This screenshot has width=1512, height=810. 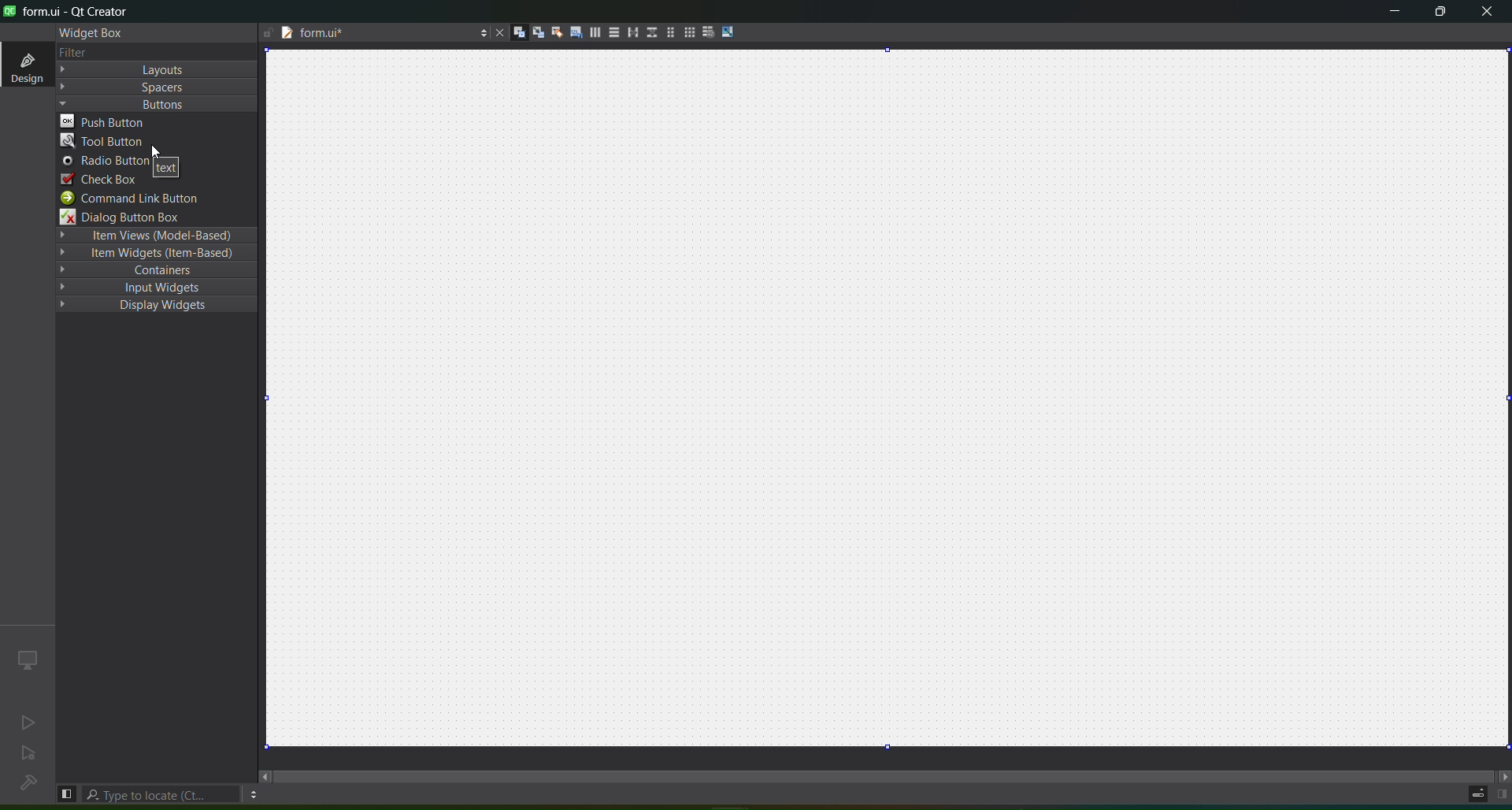 What do you see at coordinates (594, 32) in the screenshot?
I see `layout horizontally` at bounding box center [594, 32].